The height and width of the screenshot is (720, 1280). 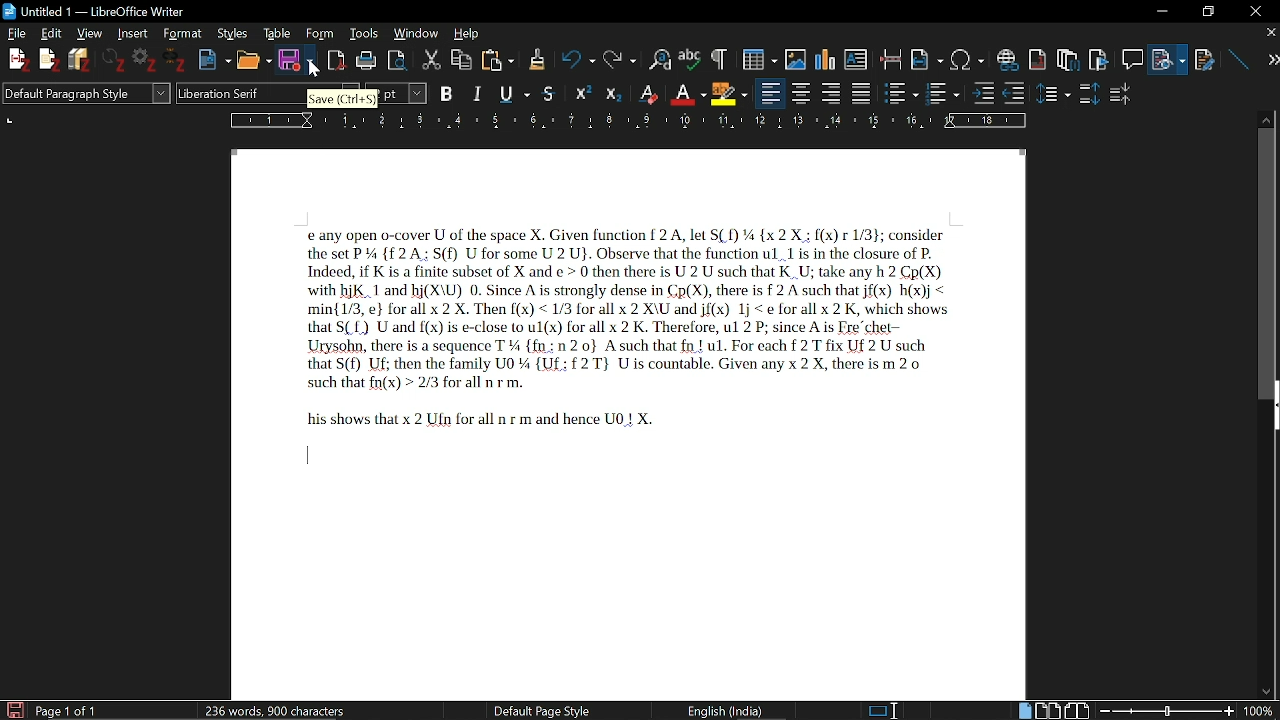 What do you see at coordinates (231, 34) in the screenshot?
I see `Styles` at bounding box center [231, 34].